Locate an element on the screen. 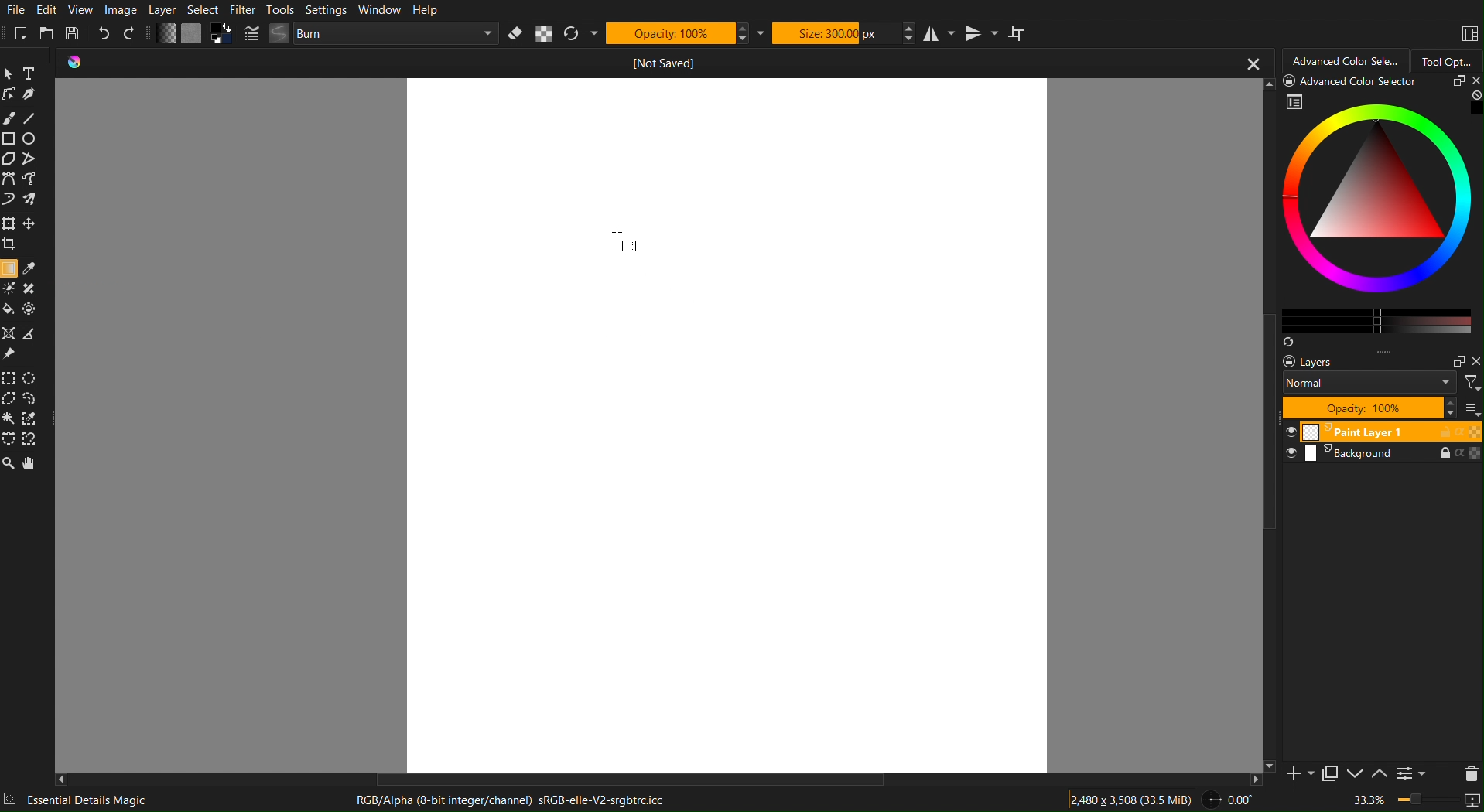  Move is located at coordinates (34, 464).